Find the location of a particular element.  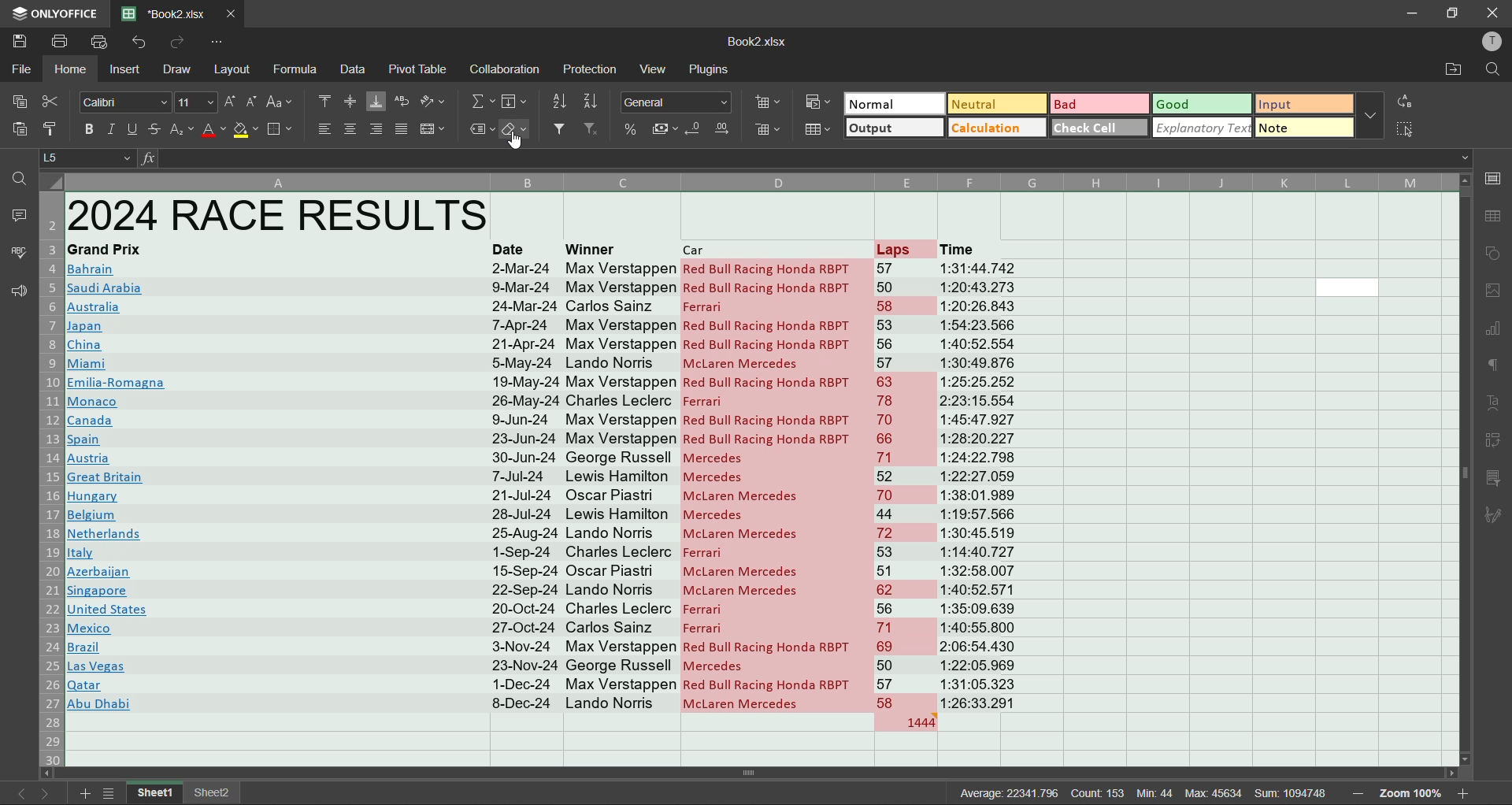

change case is located at coordinates (282, 101).